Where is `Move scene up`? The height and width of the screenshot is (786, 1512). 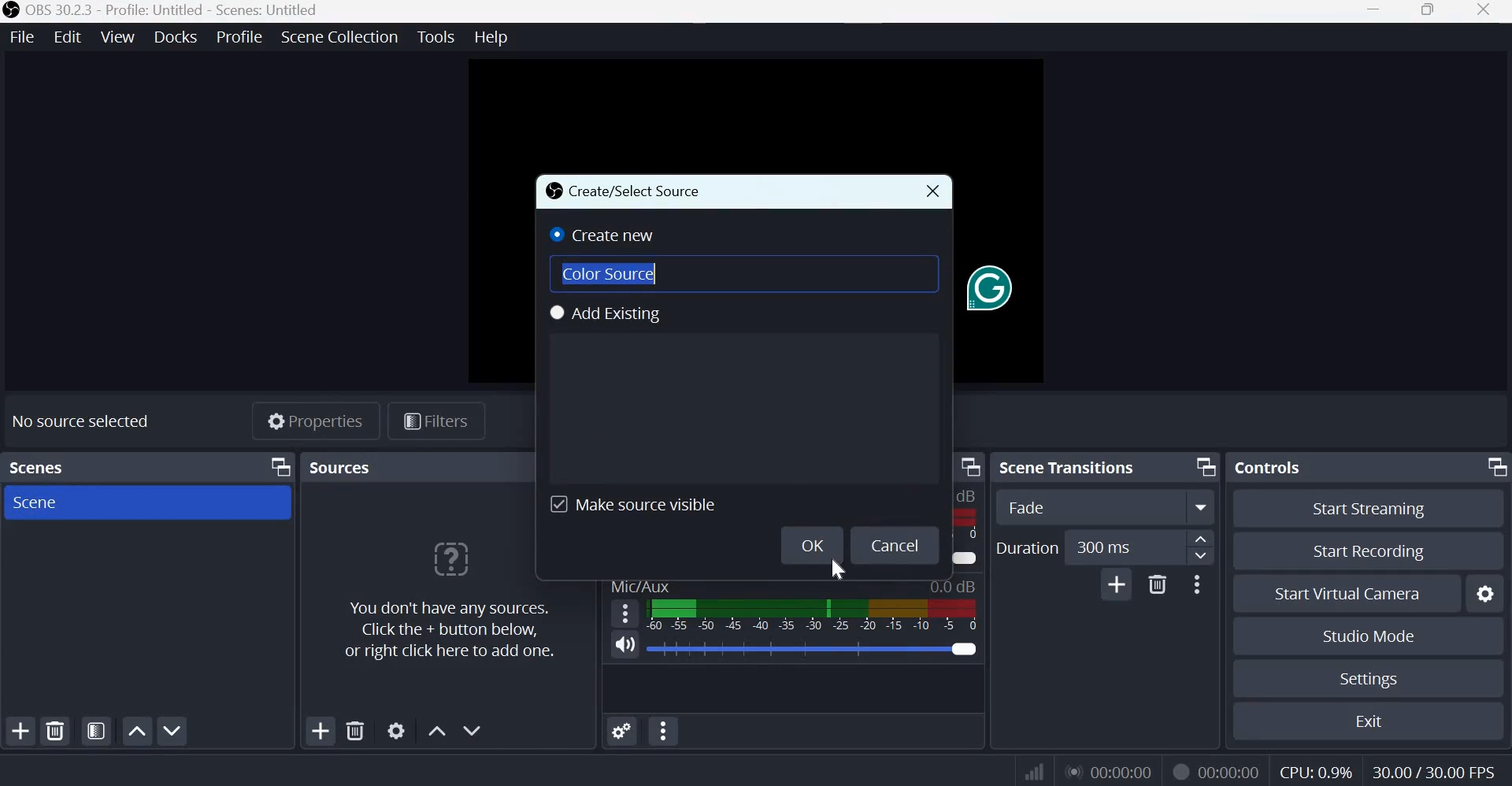 Move scene up is located at coordinates (136, 731).